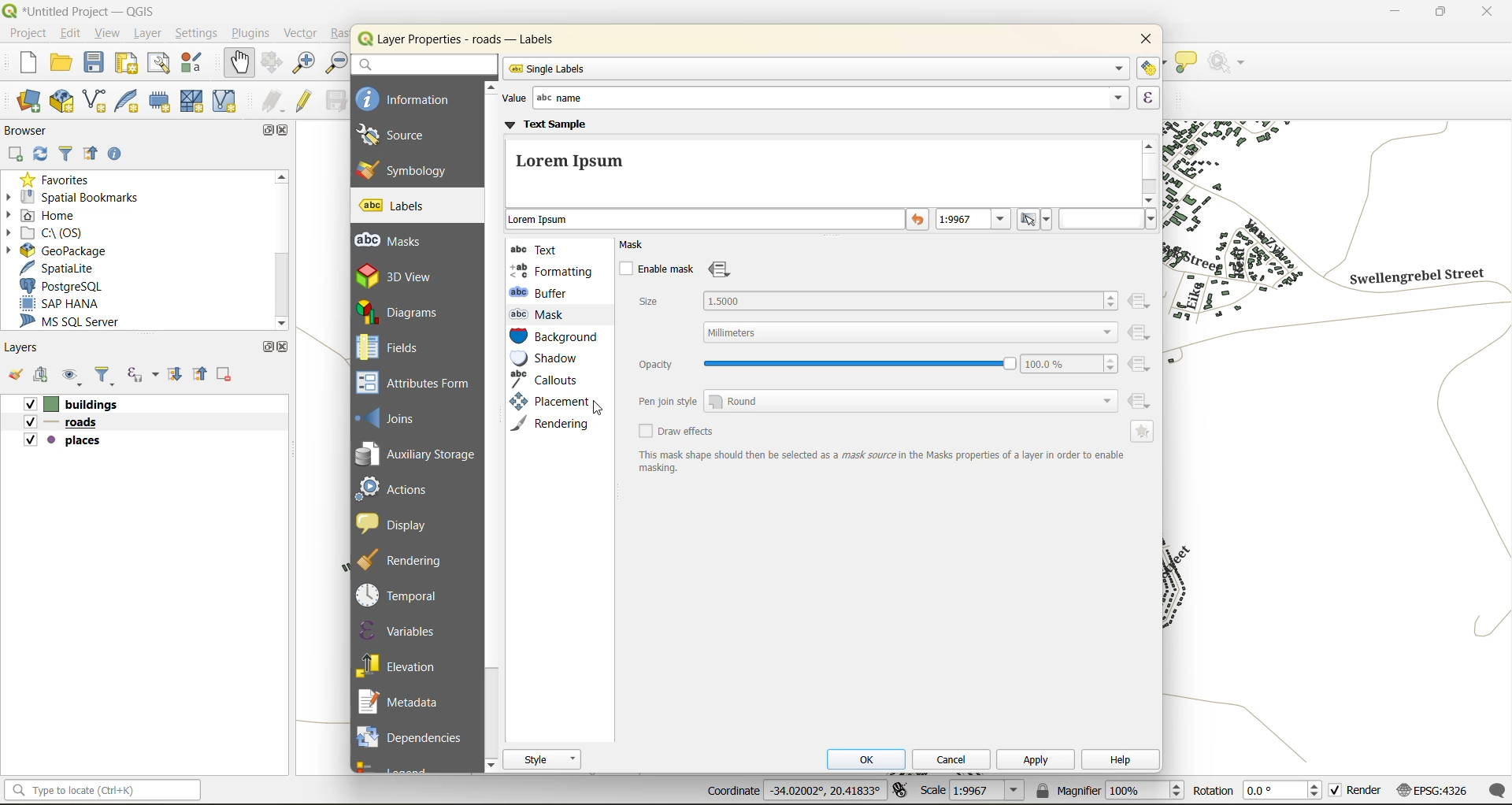  I want to click on auxillary storage, so click(417, 457).